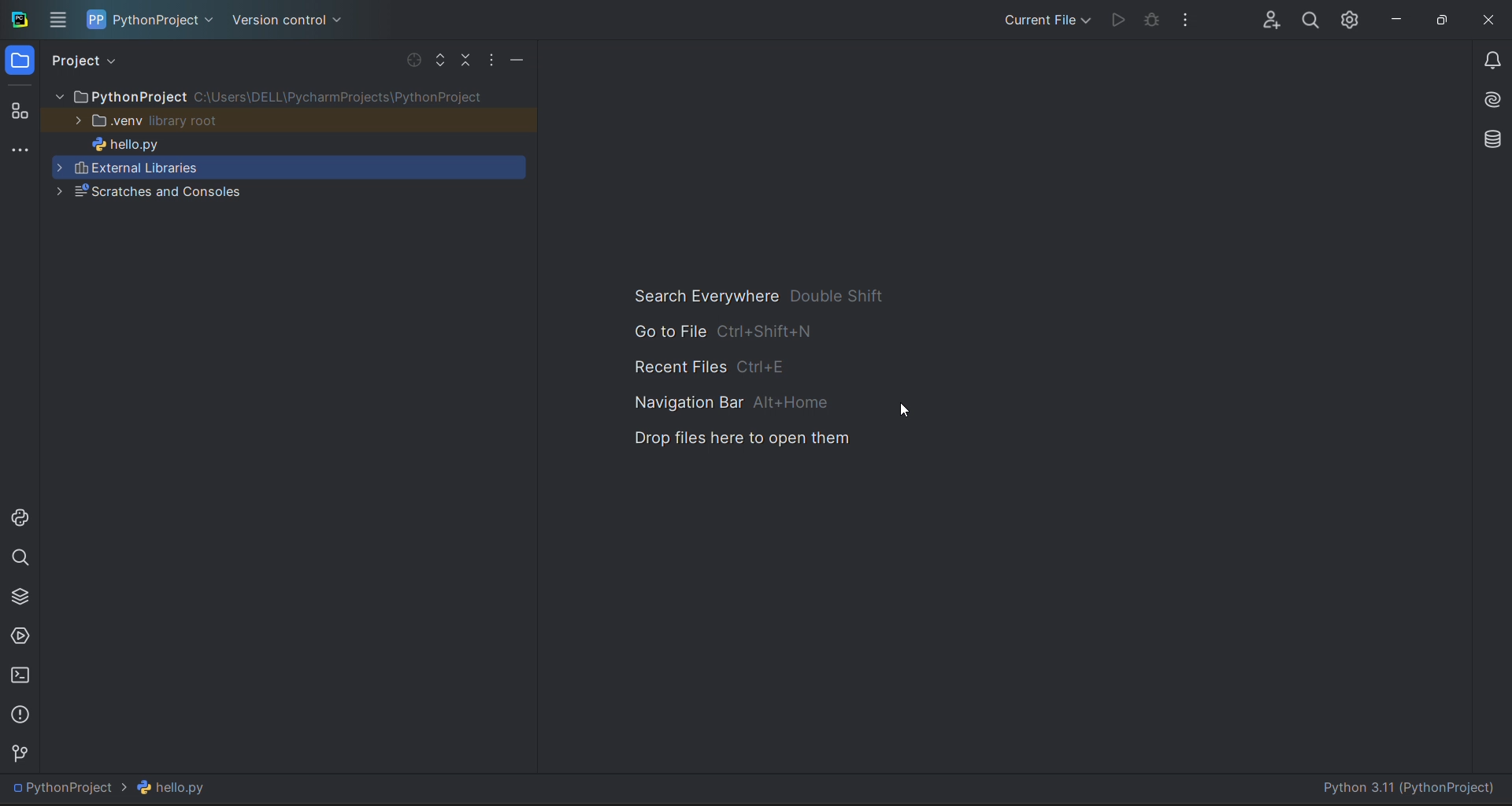 The image size is (1512, 806). I want to click on more tools window, so click(19, 151).